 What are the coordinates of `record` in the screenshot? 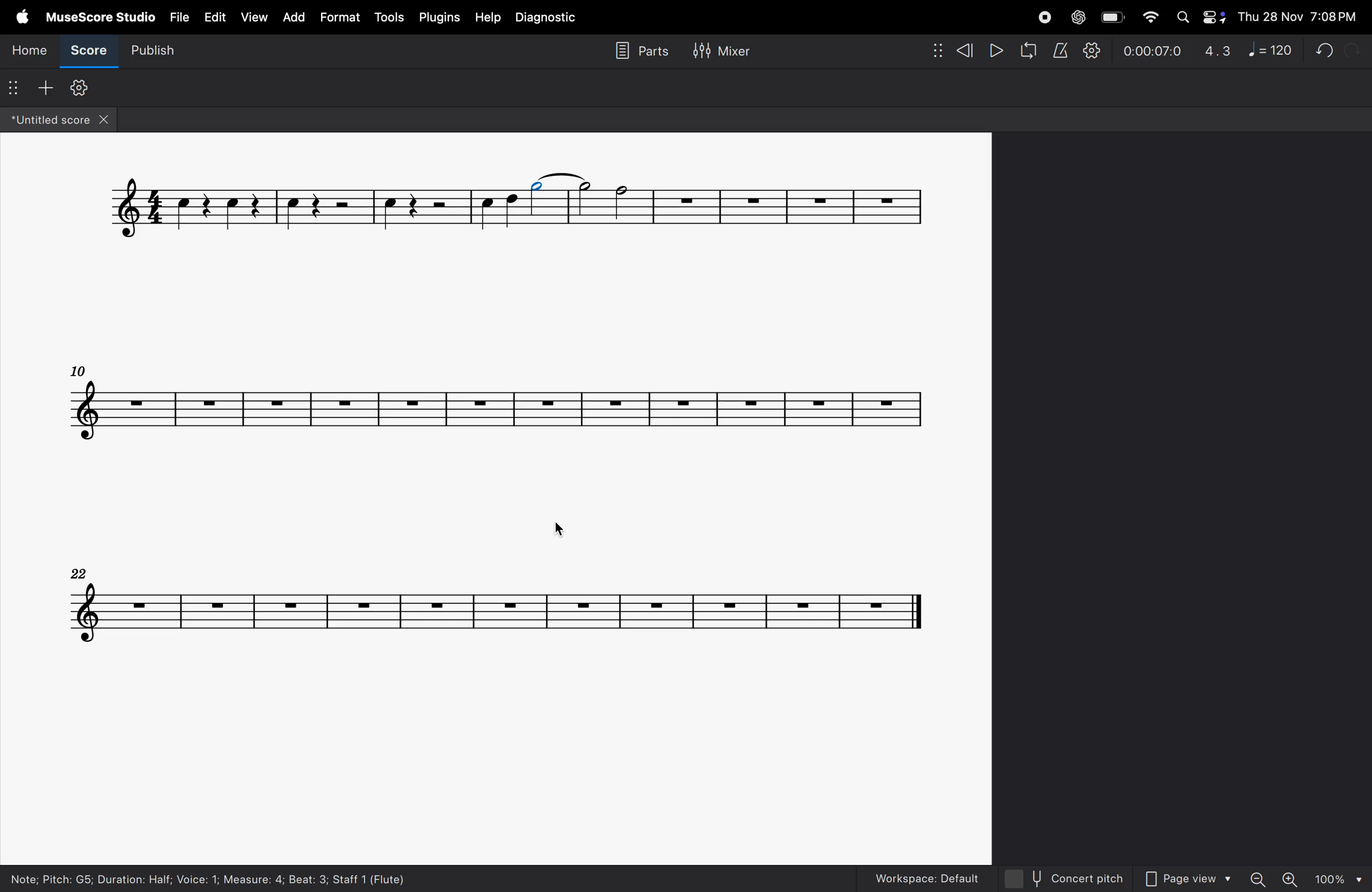 It's located at (1041, 17).